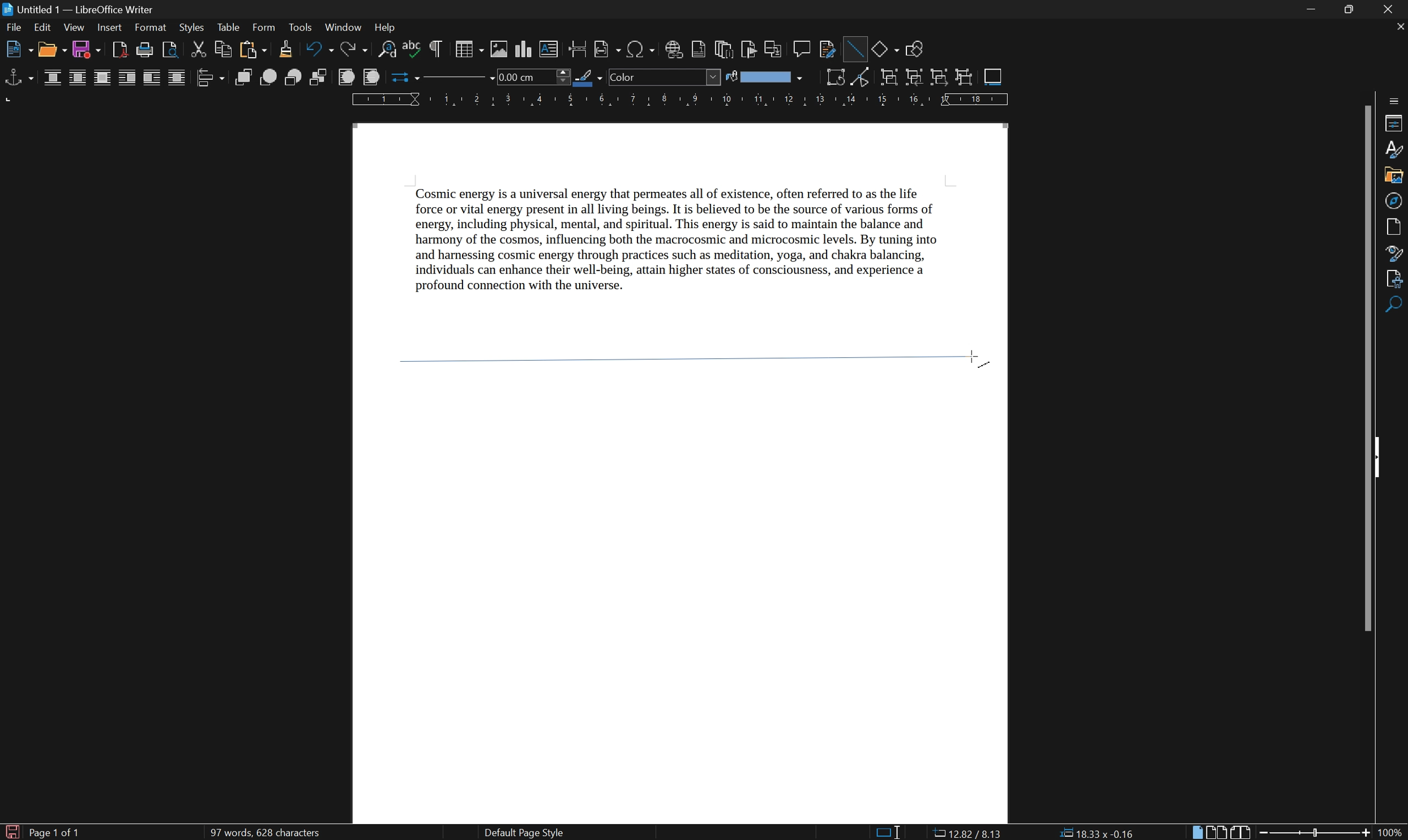 The height and width of the screenshot is (840, 1408). What do you see at coordinates (200, 49) in the screenshot?
I see `cut` at bounding box center [200, 49].